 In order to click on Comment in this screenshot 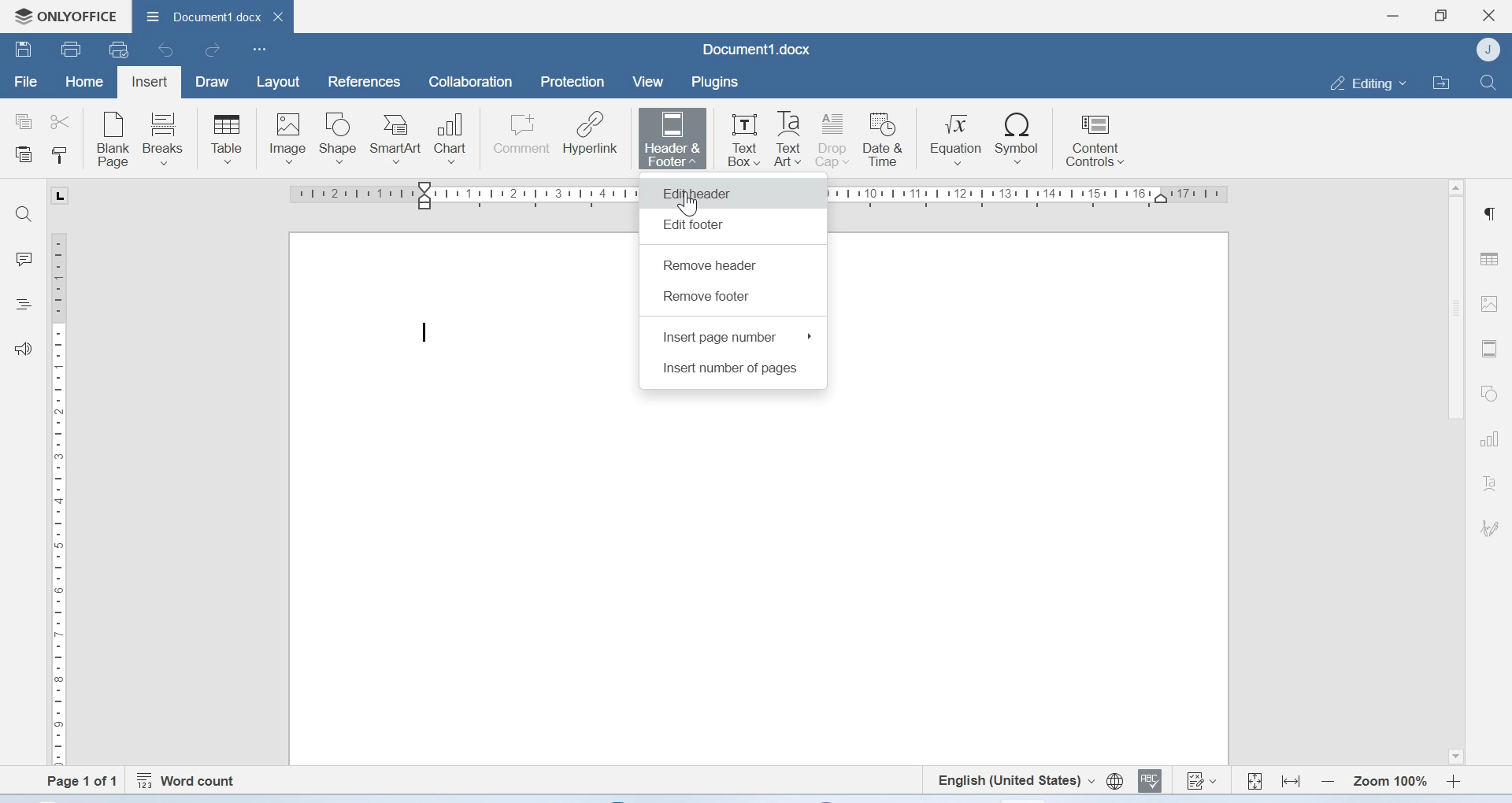, I will do `click(522, 135)`.